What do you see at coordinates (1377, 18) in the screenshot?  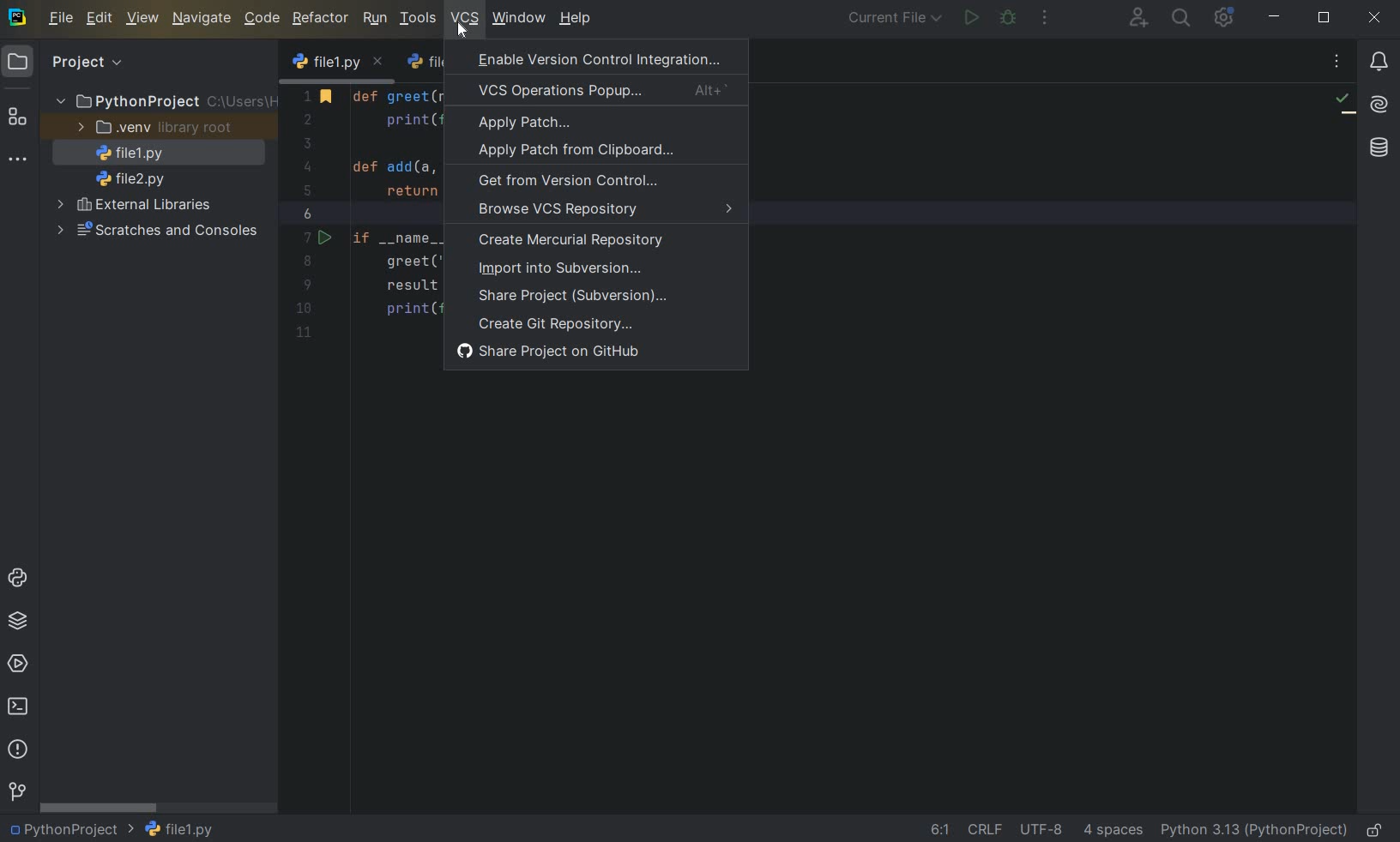 I see `close` at bounding box center [1377, 18].